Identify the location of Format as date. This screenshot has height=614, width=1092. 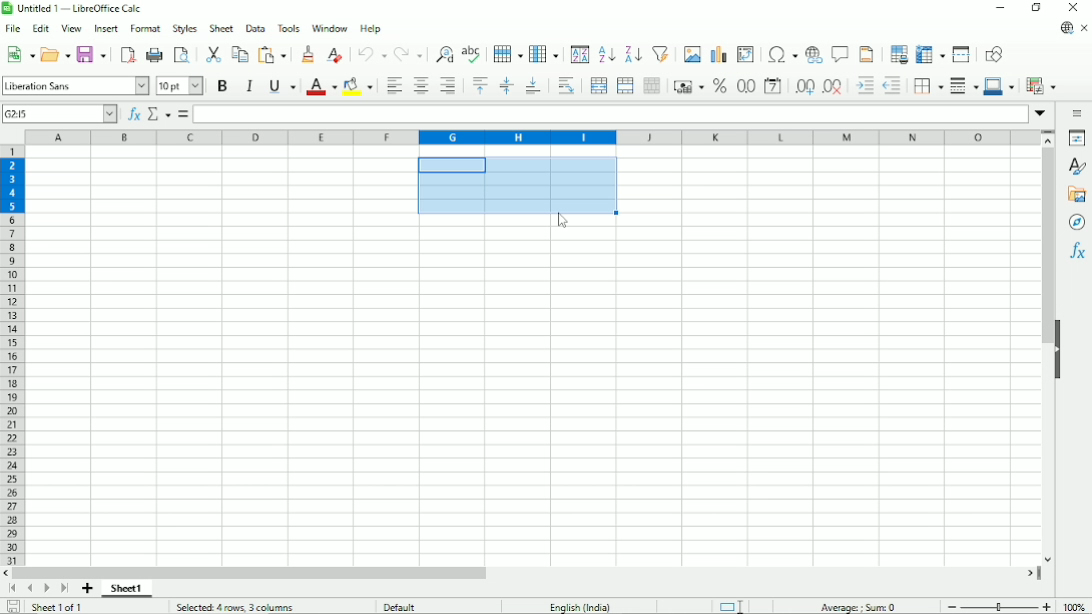
(773, 87).